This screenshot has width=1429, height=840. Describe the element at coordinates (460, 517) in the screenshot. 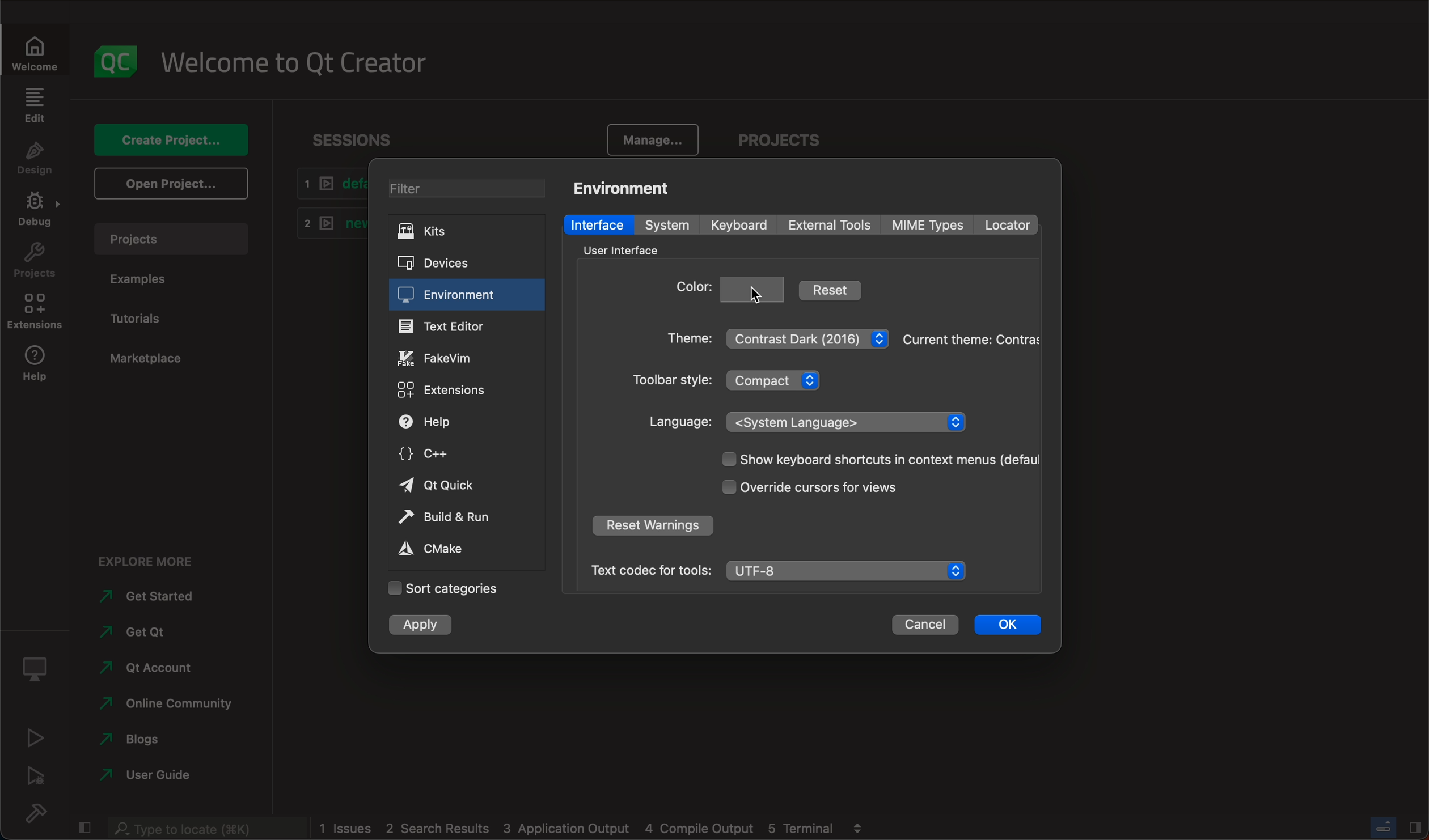

I see `build and run` at that location.